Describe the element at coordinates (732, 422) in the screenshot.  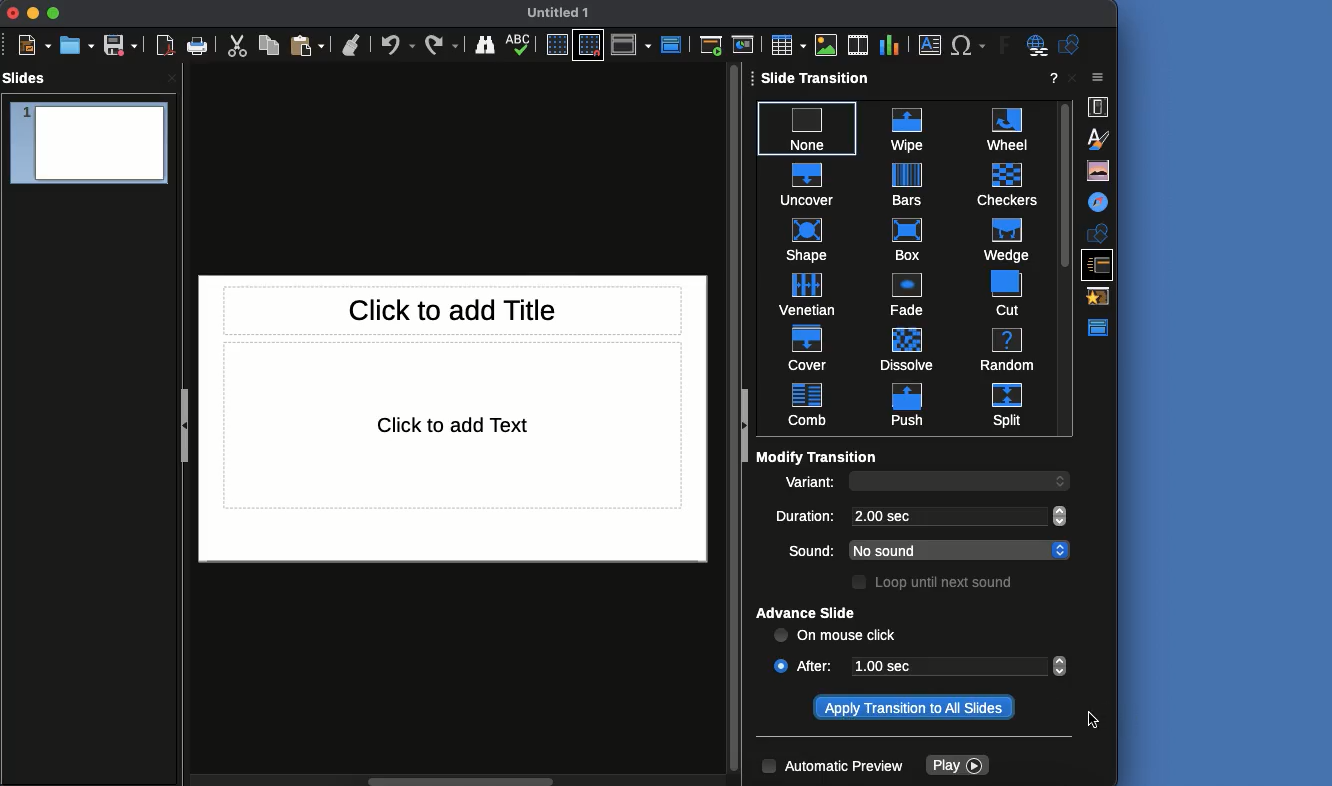
I see `scroll` at that location.